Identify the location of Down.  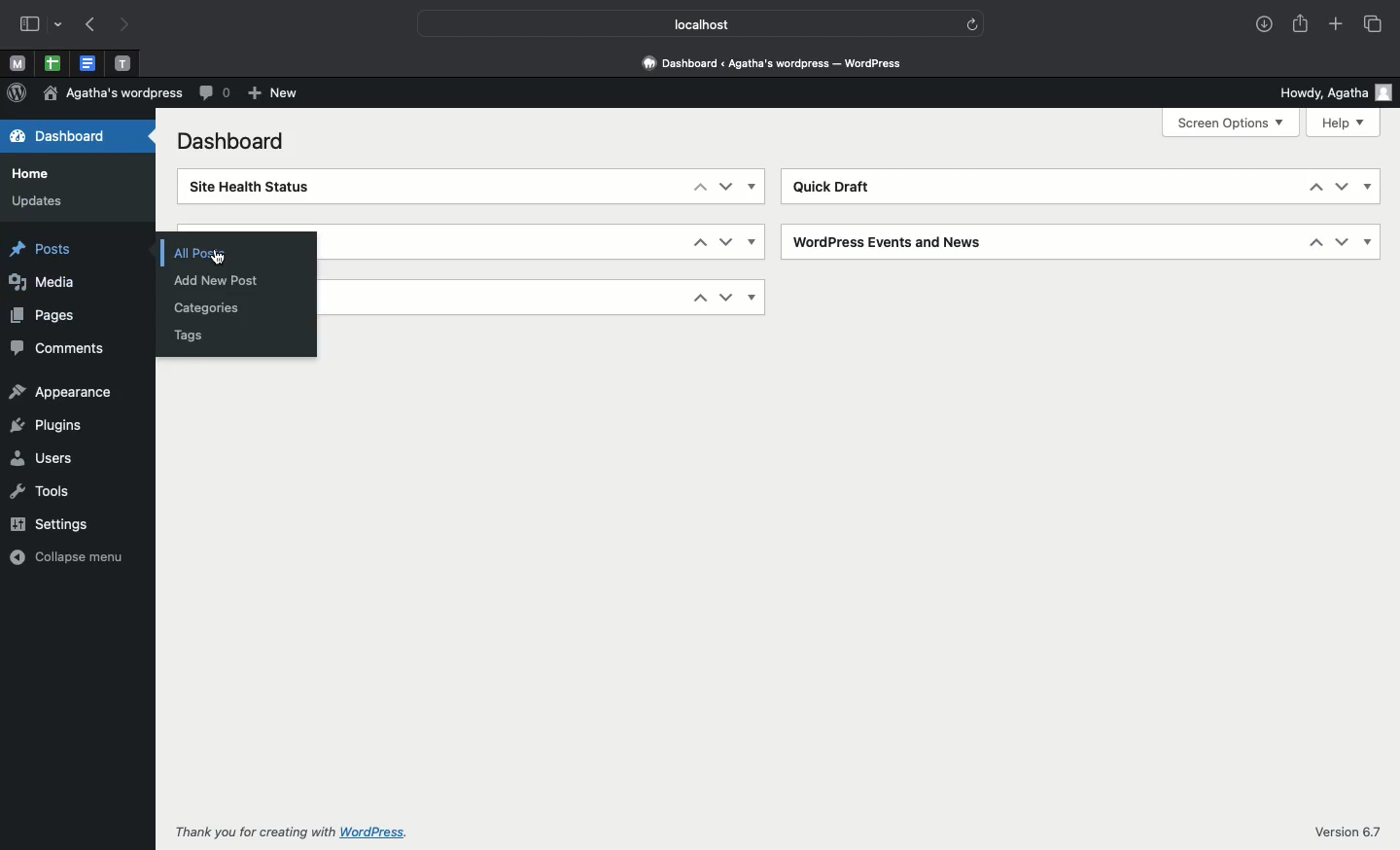
(1343, 242).